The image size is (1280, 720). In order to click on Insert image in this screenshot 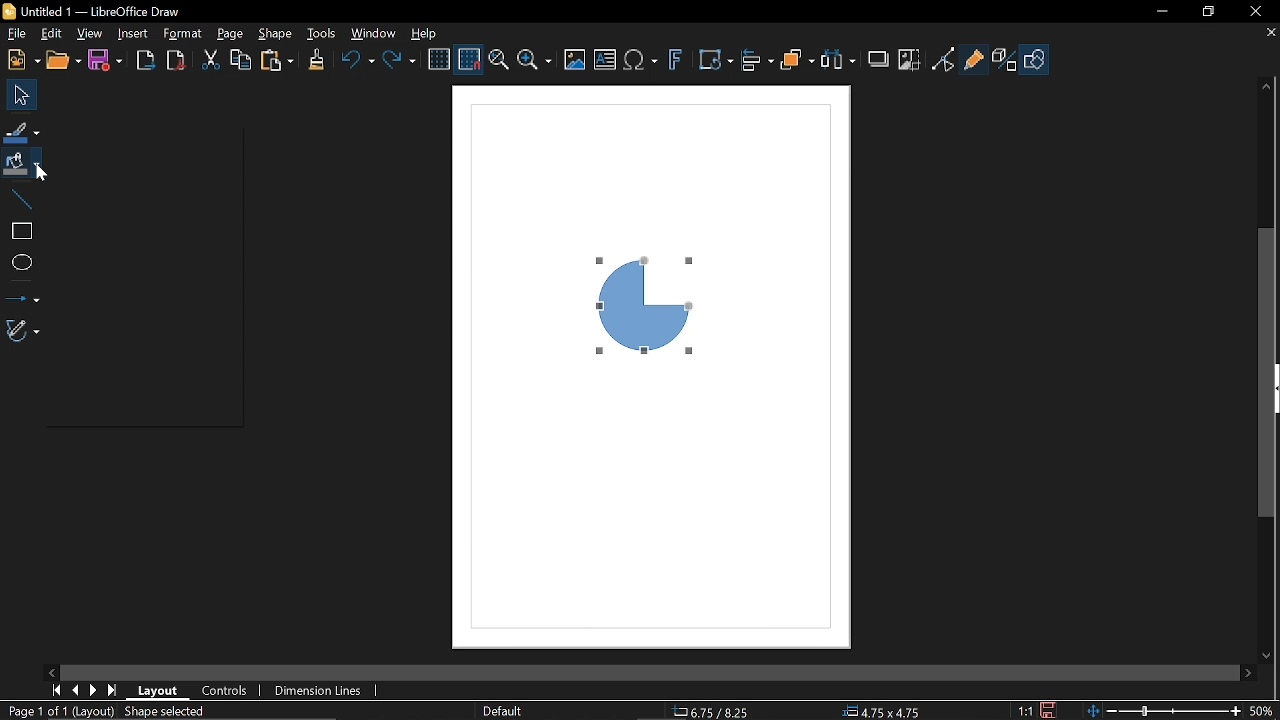, I will do `click(575, 59)`.